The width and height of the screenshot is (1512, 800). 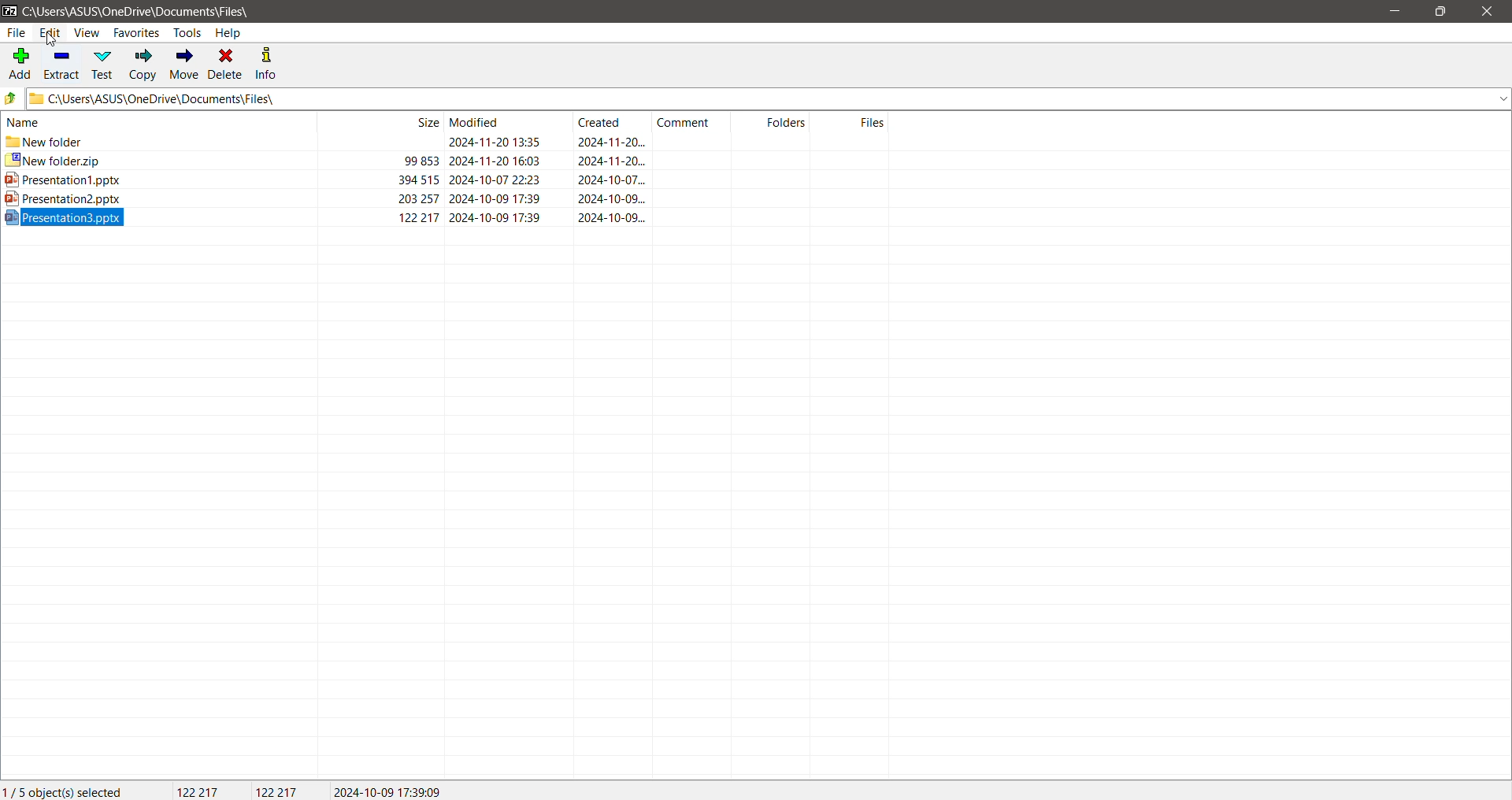 What do you see at coordinates (613, 122) in the screenshot?
I see `Files Created Date` at bounding box center [613, 122].